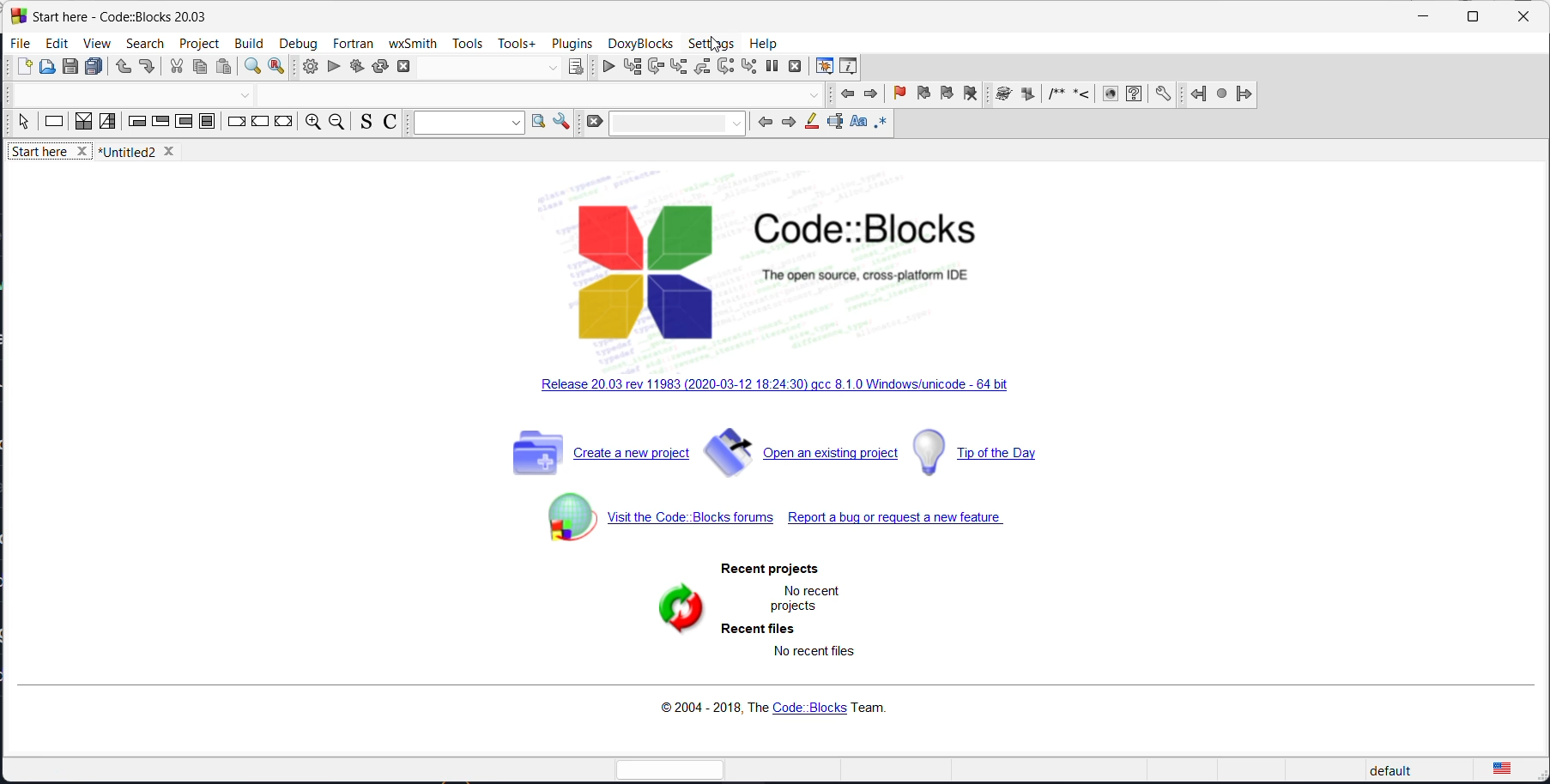 The height and width of the screenshot is (784, 1550). Describe the element at coordinates (1195, 94) in the screenshot. I see `jump back` at that location.